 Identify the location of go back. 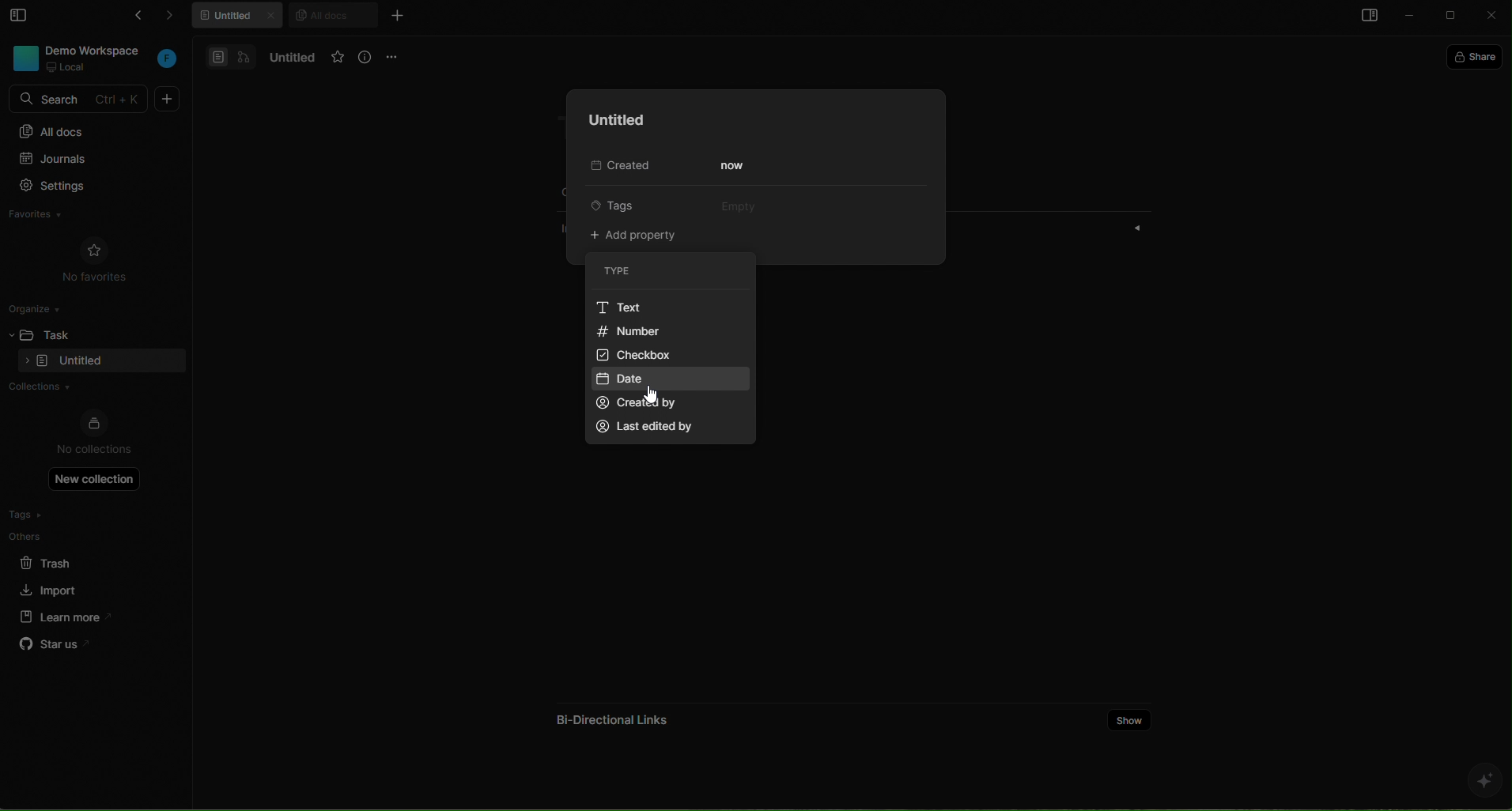
(134, 18).